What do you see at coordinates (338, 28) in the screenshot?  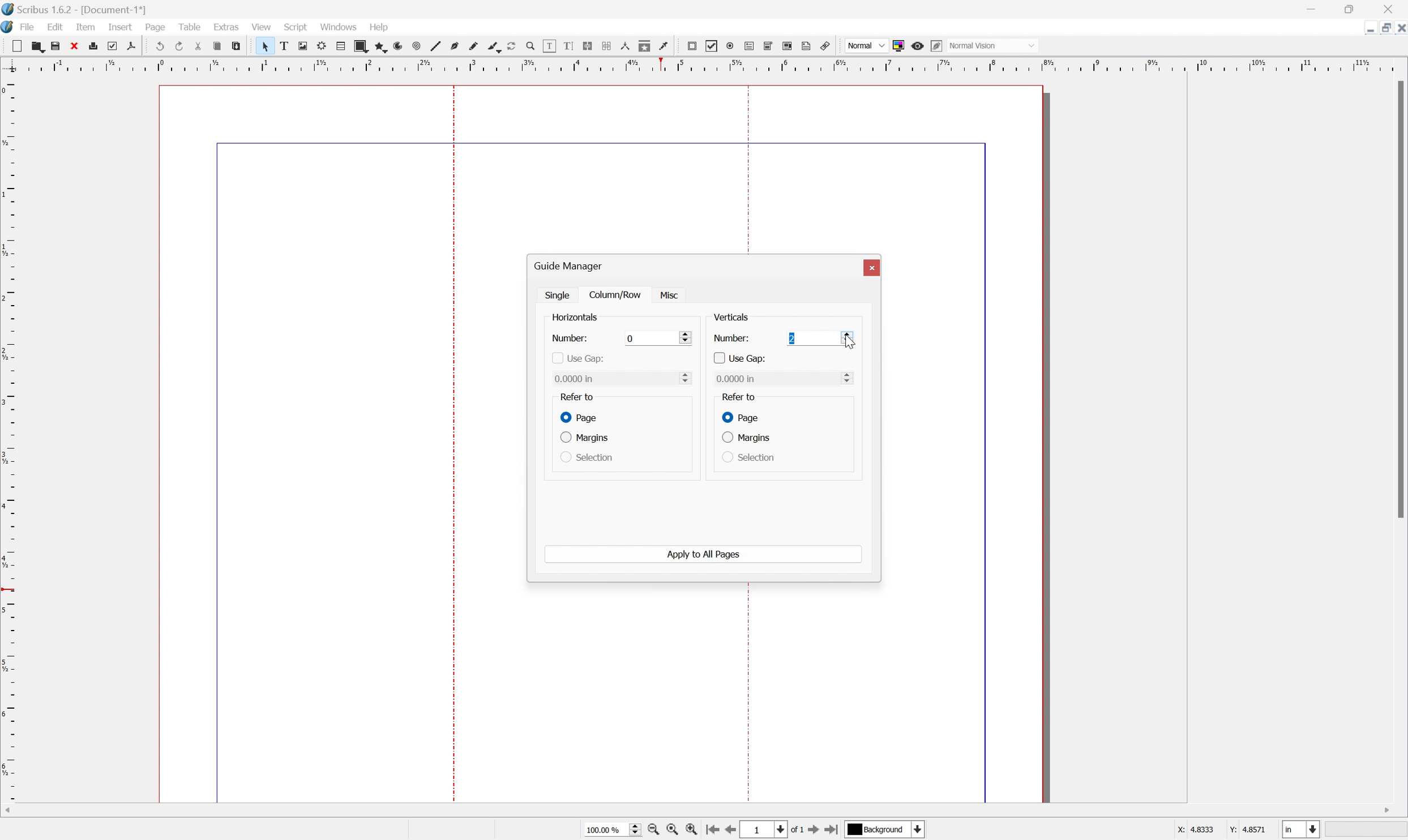 I see `windows` at bounding box center [338, 28].